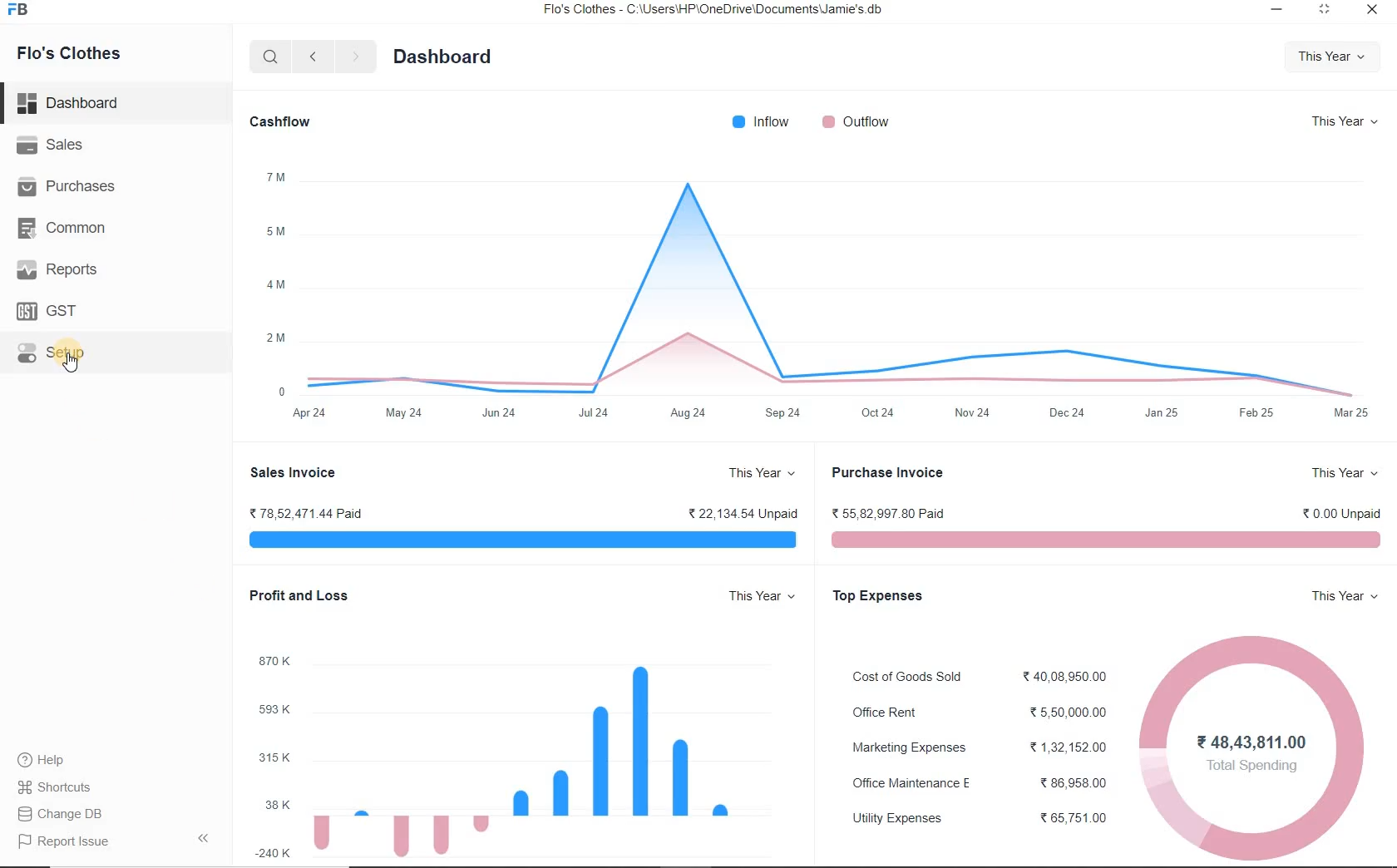 Image resolution: width=1397 pixels, height=868 pixels. What do you see at coordinates (51, 352) in the screenshot?
I see `Setup` at bounding box center [51, 352].